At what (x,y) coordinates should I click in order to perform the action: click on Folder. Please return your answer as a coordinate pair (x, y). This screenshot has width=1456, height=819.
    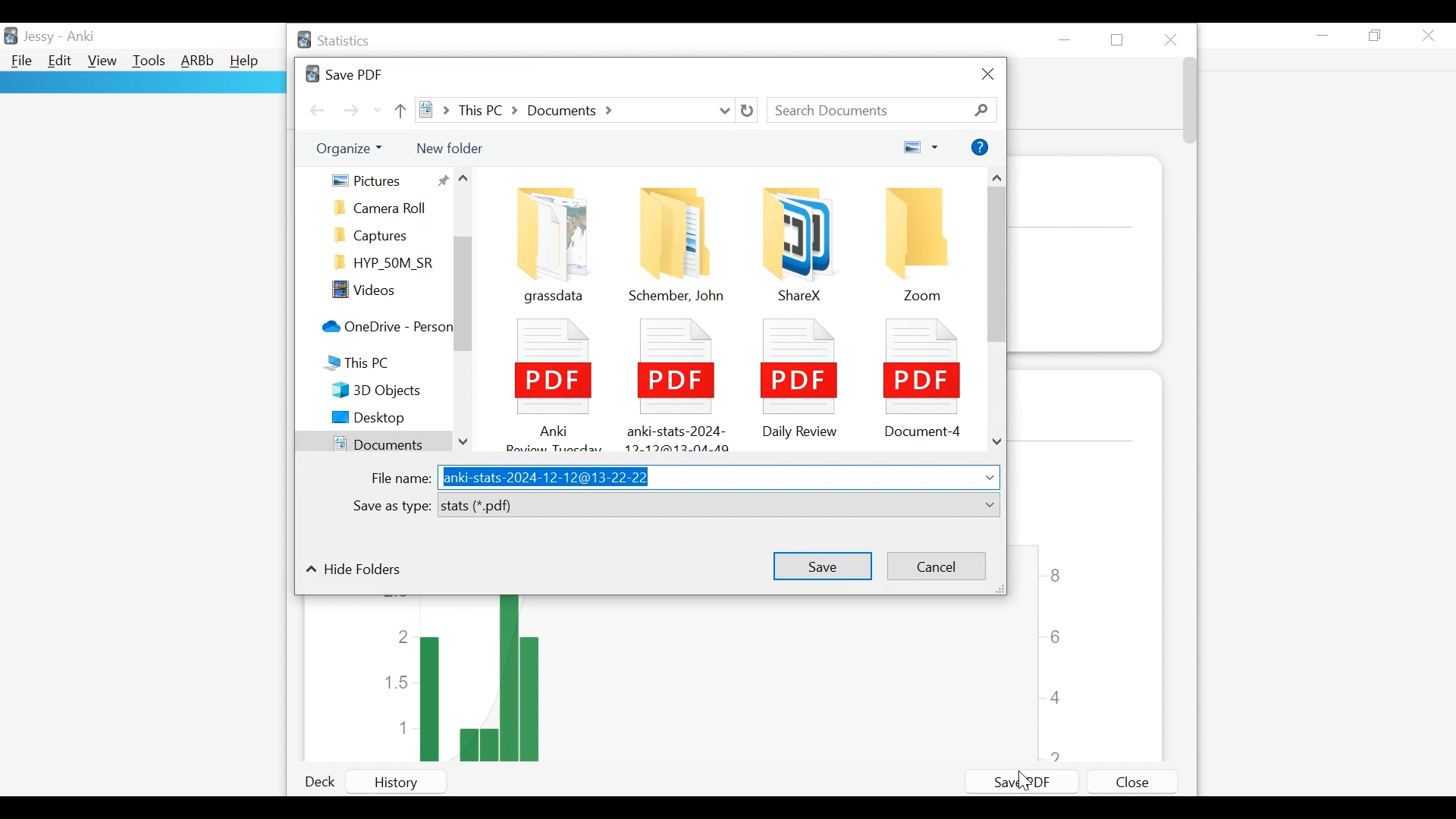
    Looking at the image, I should click on (922, 243).